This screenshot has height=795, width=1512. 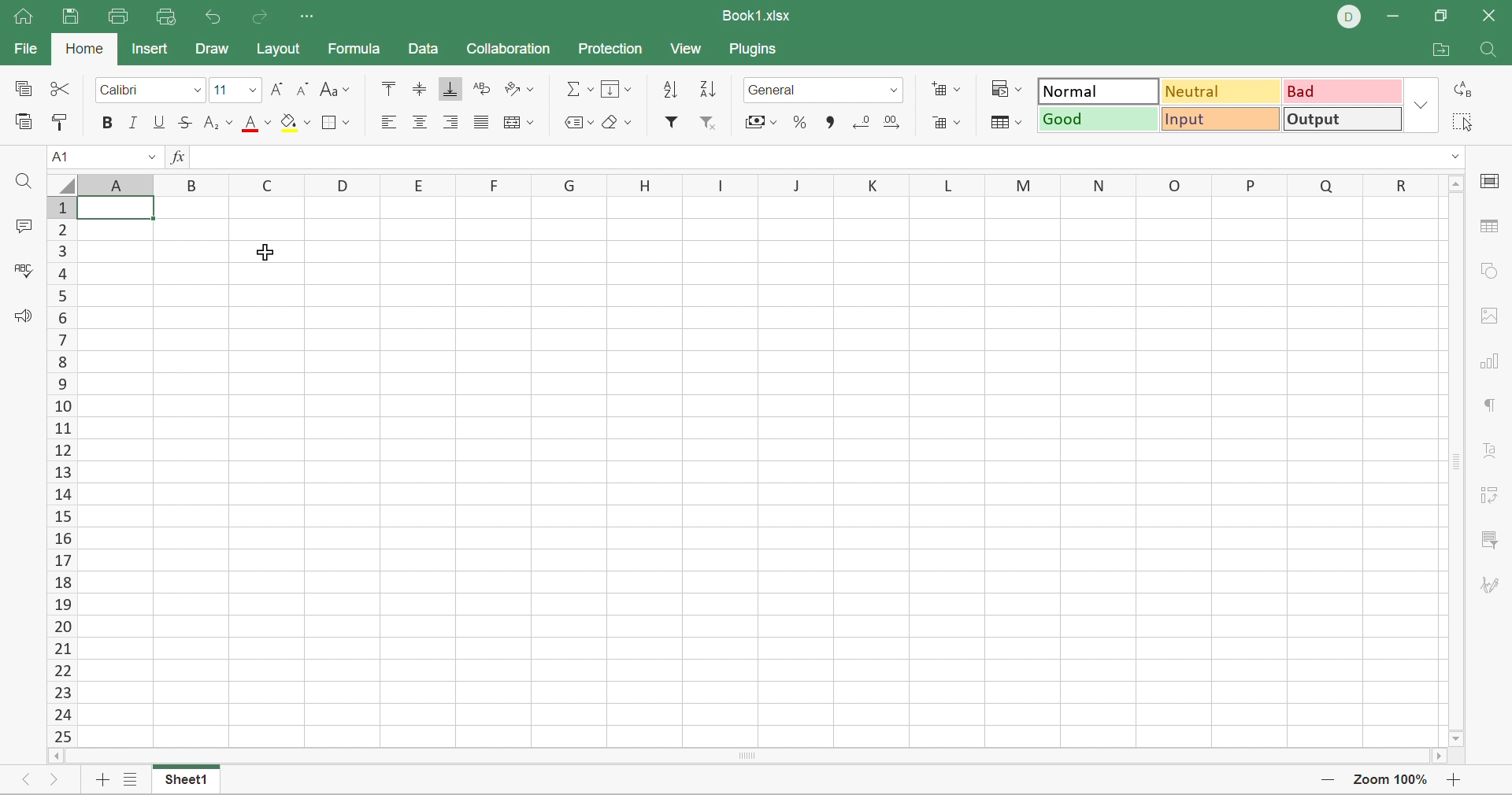 What do you see at coordinates (129, 777) in the screenshot?
I see `List of sheets` at bounding box center [129, 777].